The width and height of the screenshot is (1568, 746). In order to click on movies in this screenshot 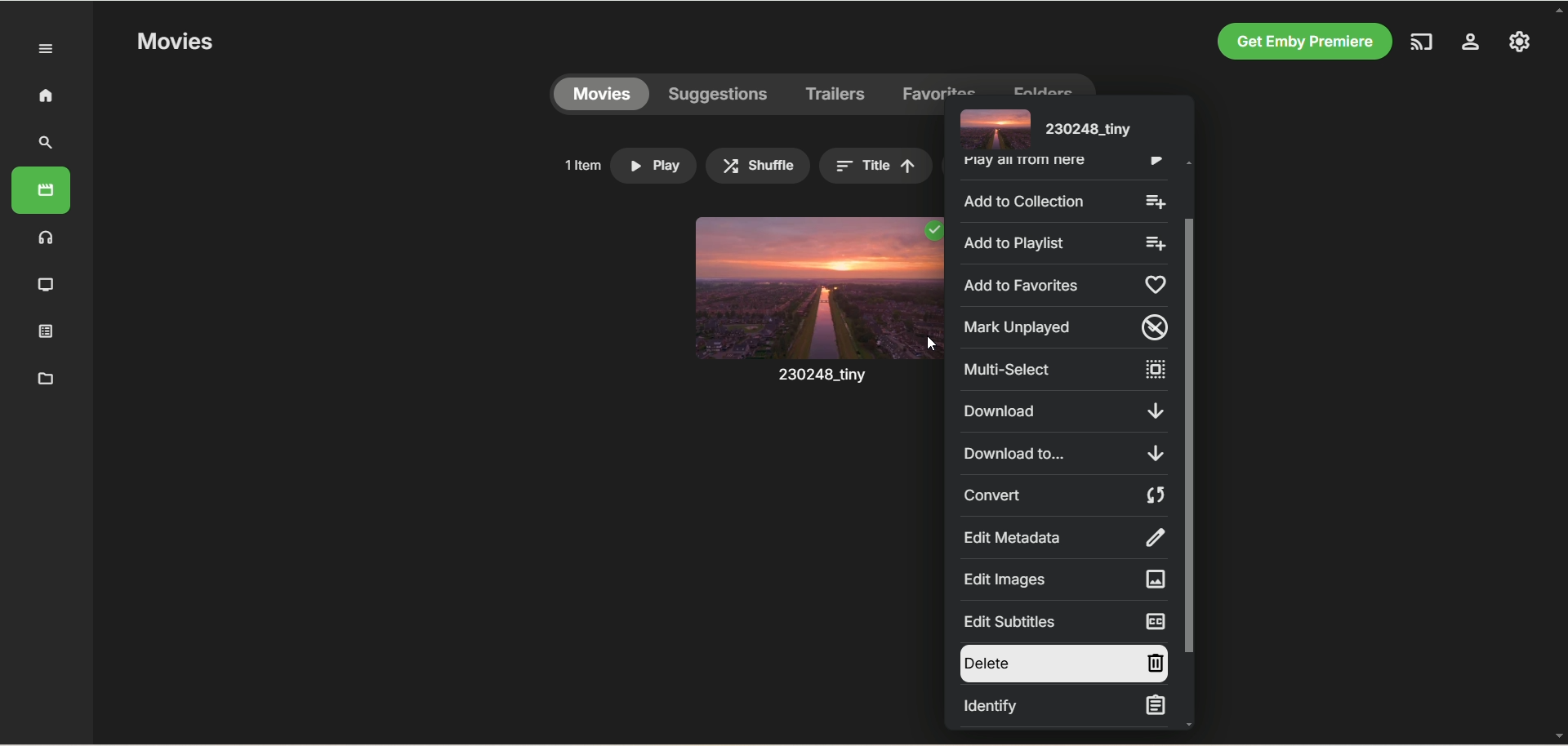, I will do `click(41, 190)`.